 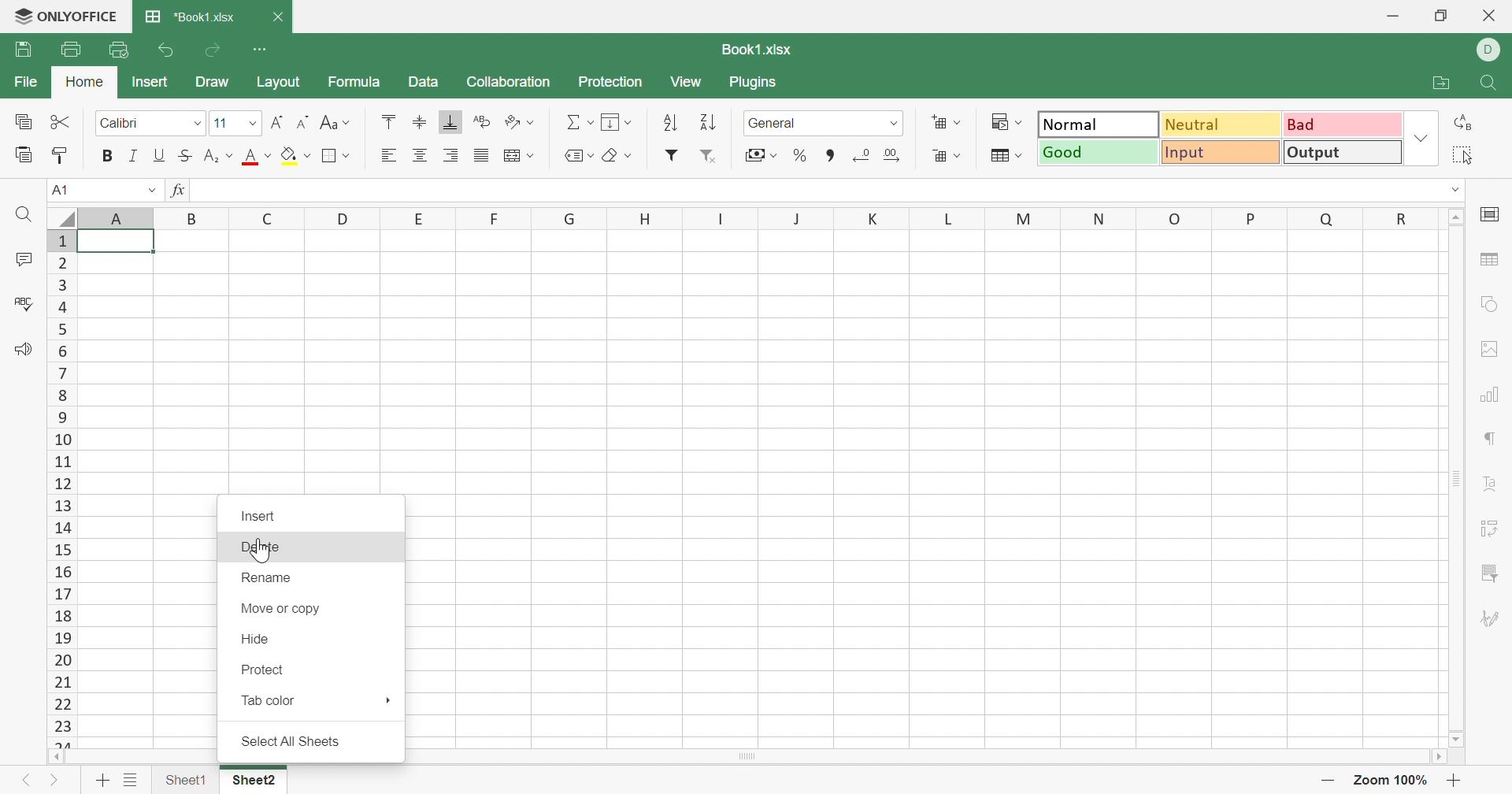 I want to click on Print, so click(x=69, y=46).